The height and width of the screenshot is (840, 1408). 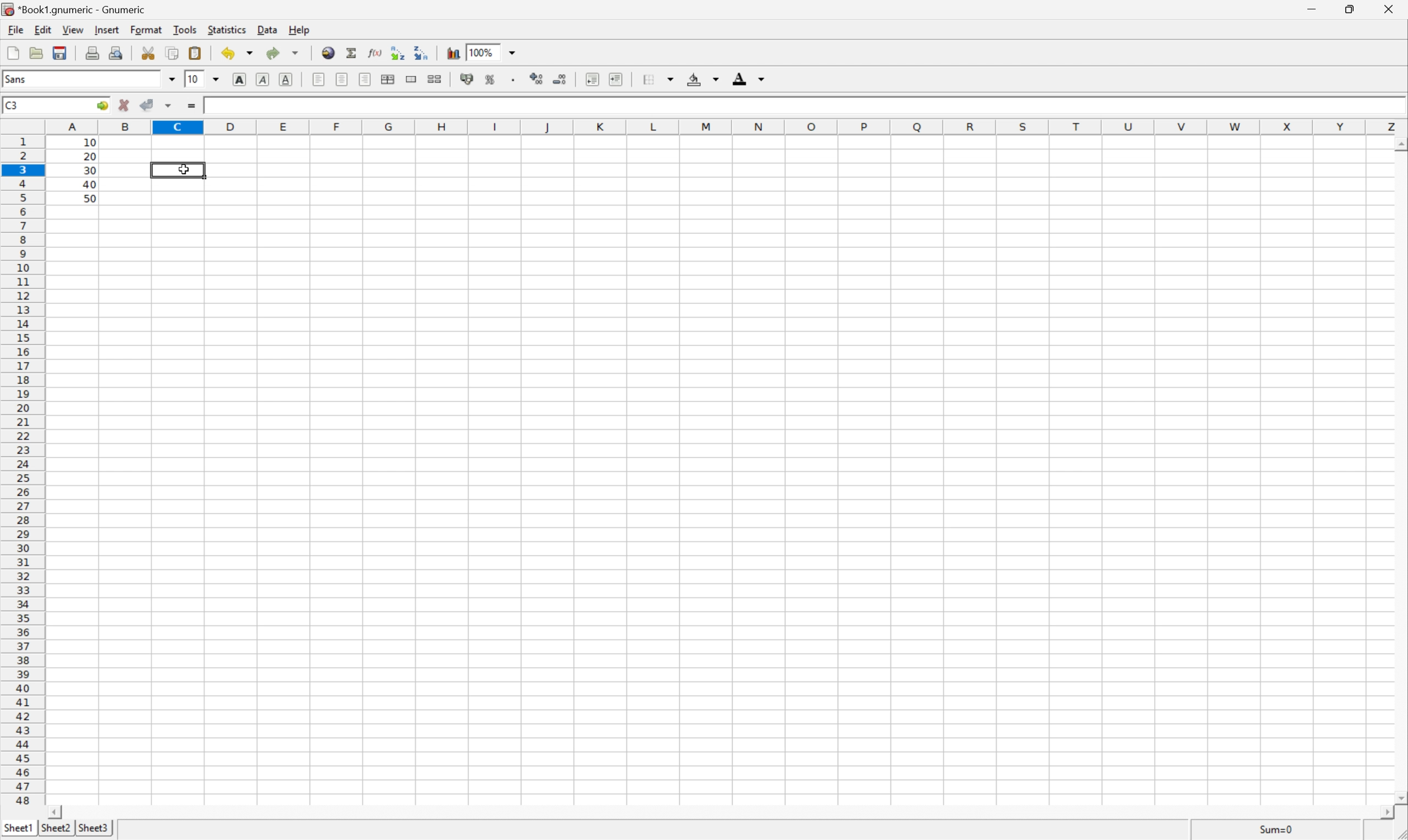 I want to click on Drop down, so click(x=514, y=51).